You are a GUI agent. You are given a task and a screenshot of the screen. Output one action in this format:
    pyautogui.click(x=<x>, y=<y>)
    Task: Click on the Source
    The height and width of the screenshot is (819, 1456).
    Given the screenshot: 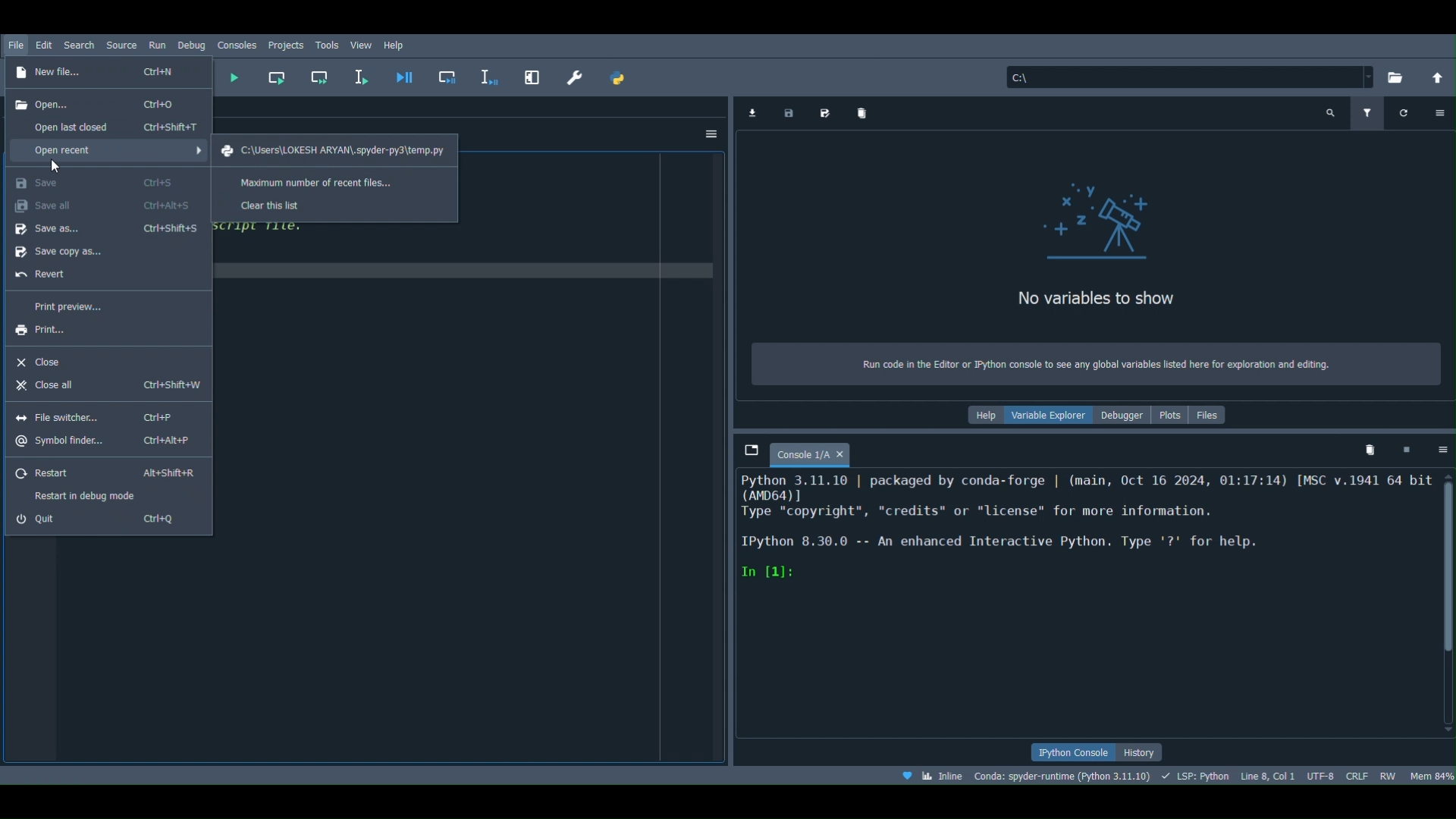 What is the action you would take?
    pyautogui.click(x=121, y=46)
    